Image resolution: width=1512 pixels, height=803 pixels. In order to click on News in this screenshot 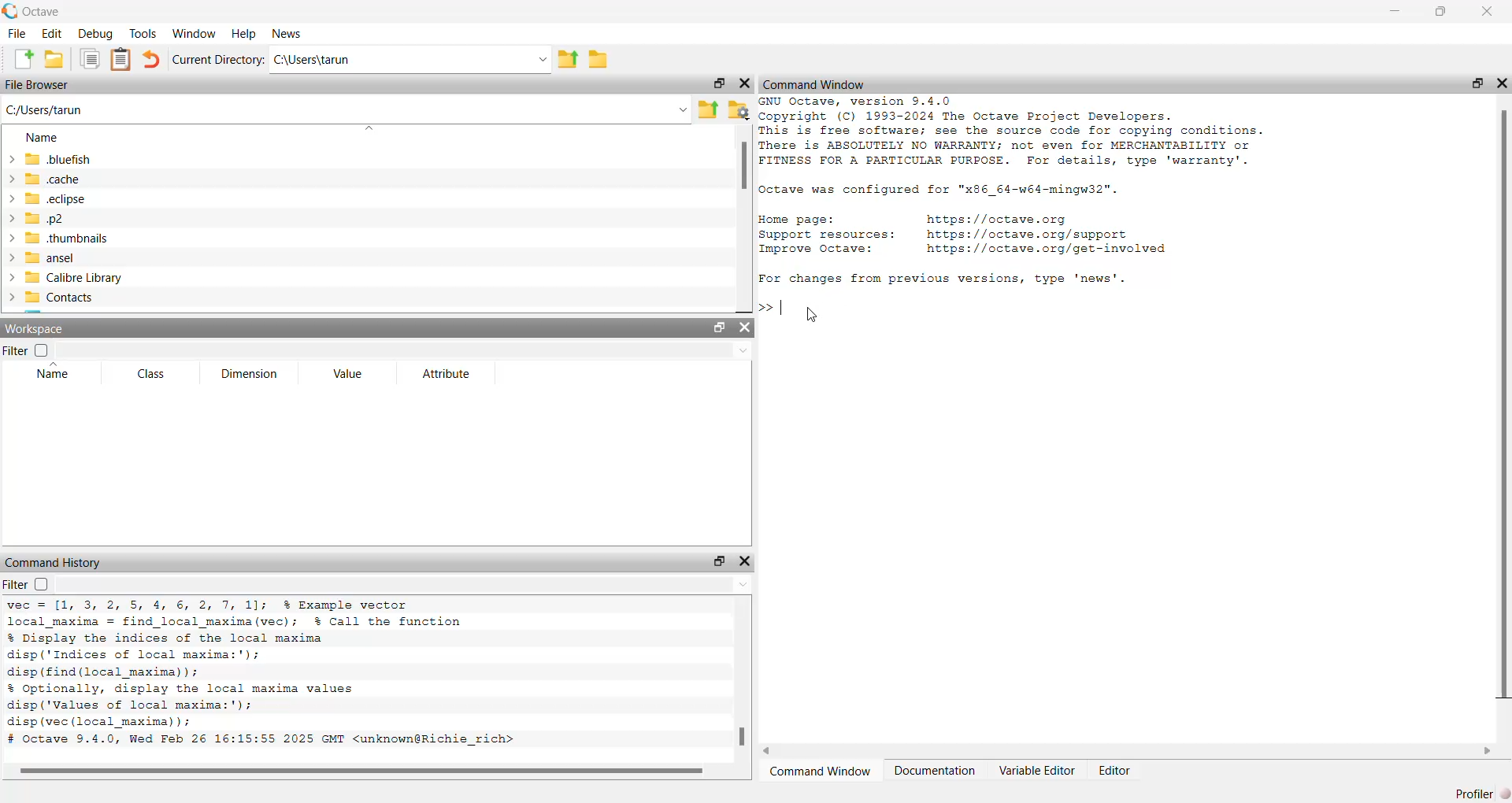, I will do `click(287, 34)`.